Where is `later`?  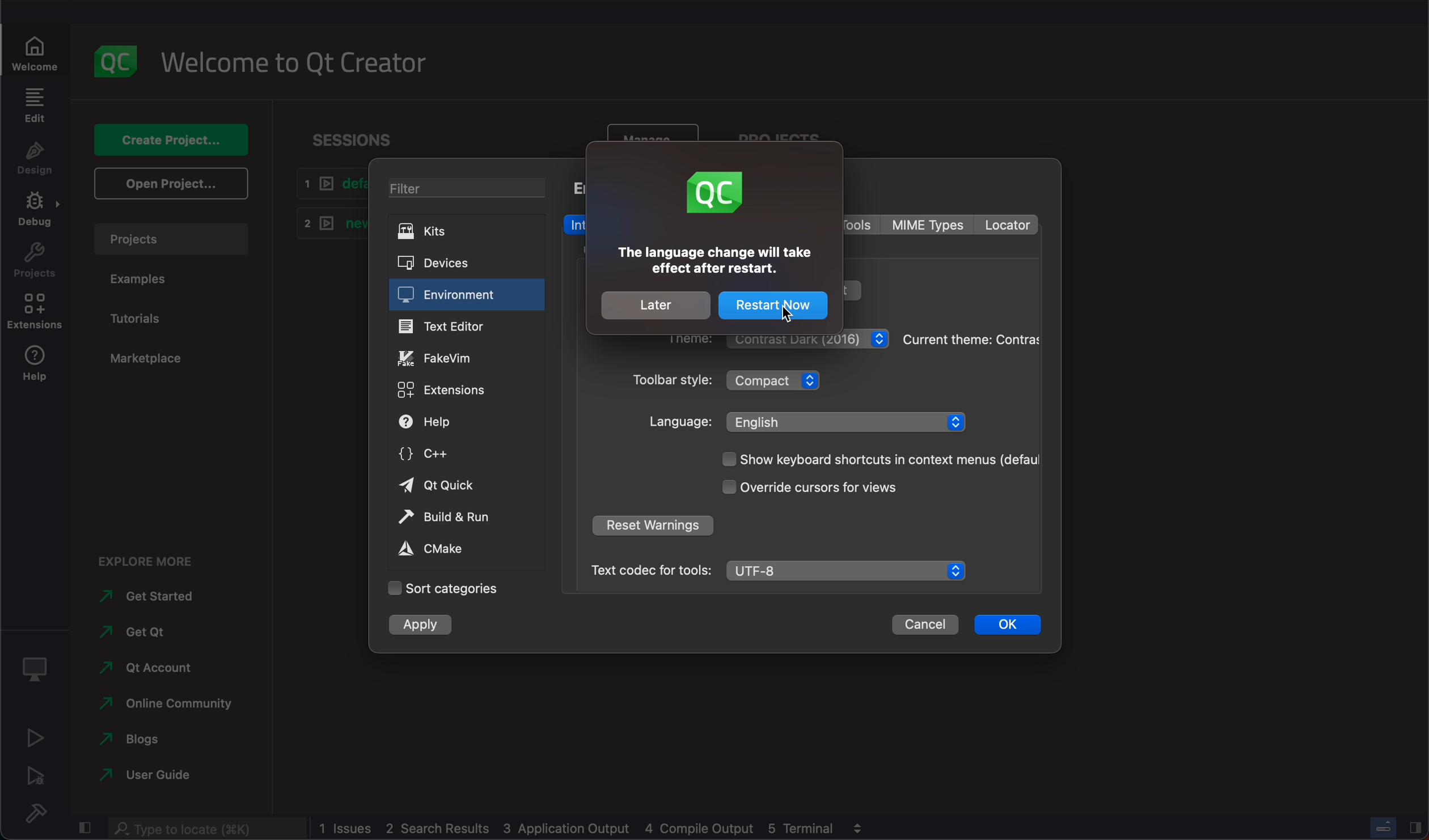
later is located at coordinates (657, 306).